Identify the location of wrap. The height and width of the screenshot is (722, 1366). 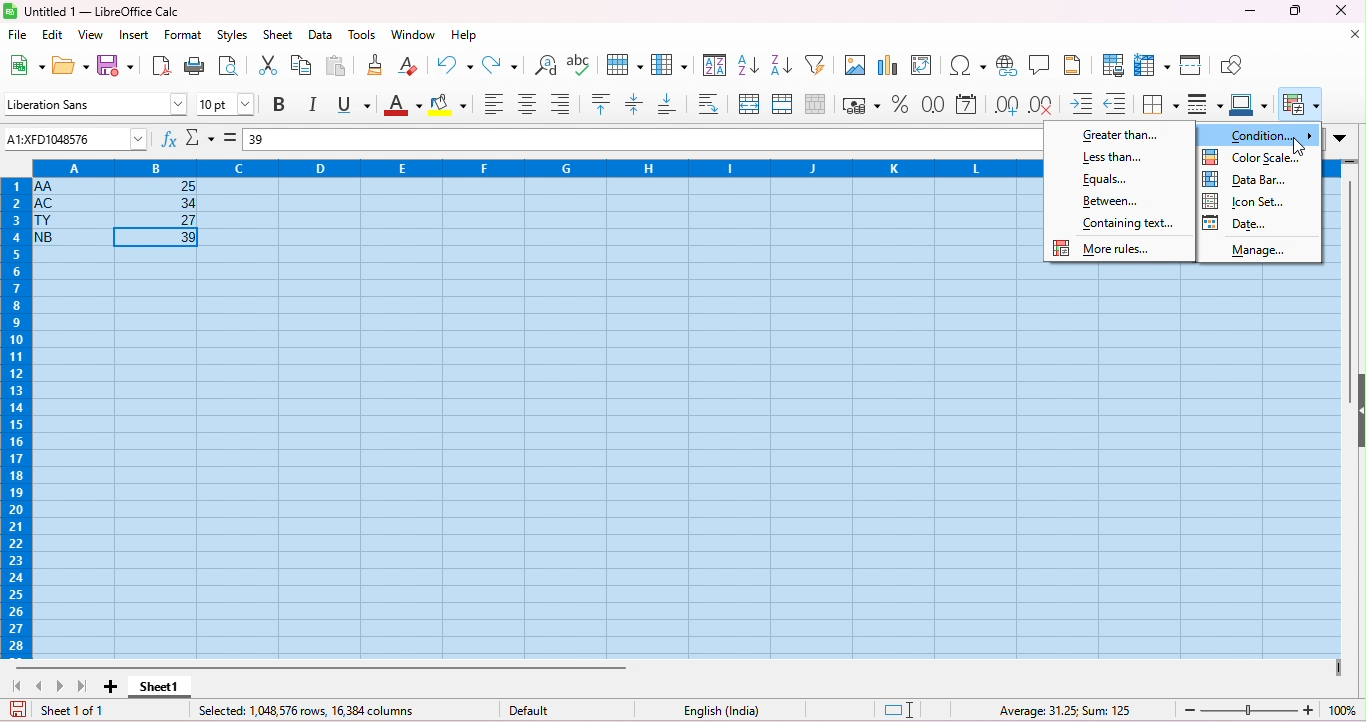
(704, 103).